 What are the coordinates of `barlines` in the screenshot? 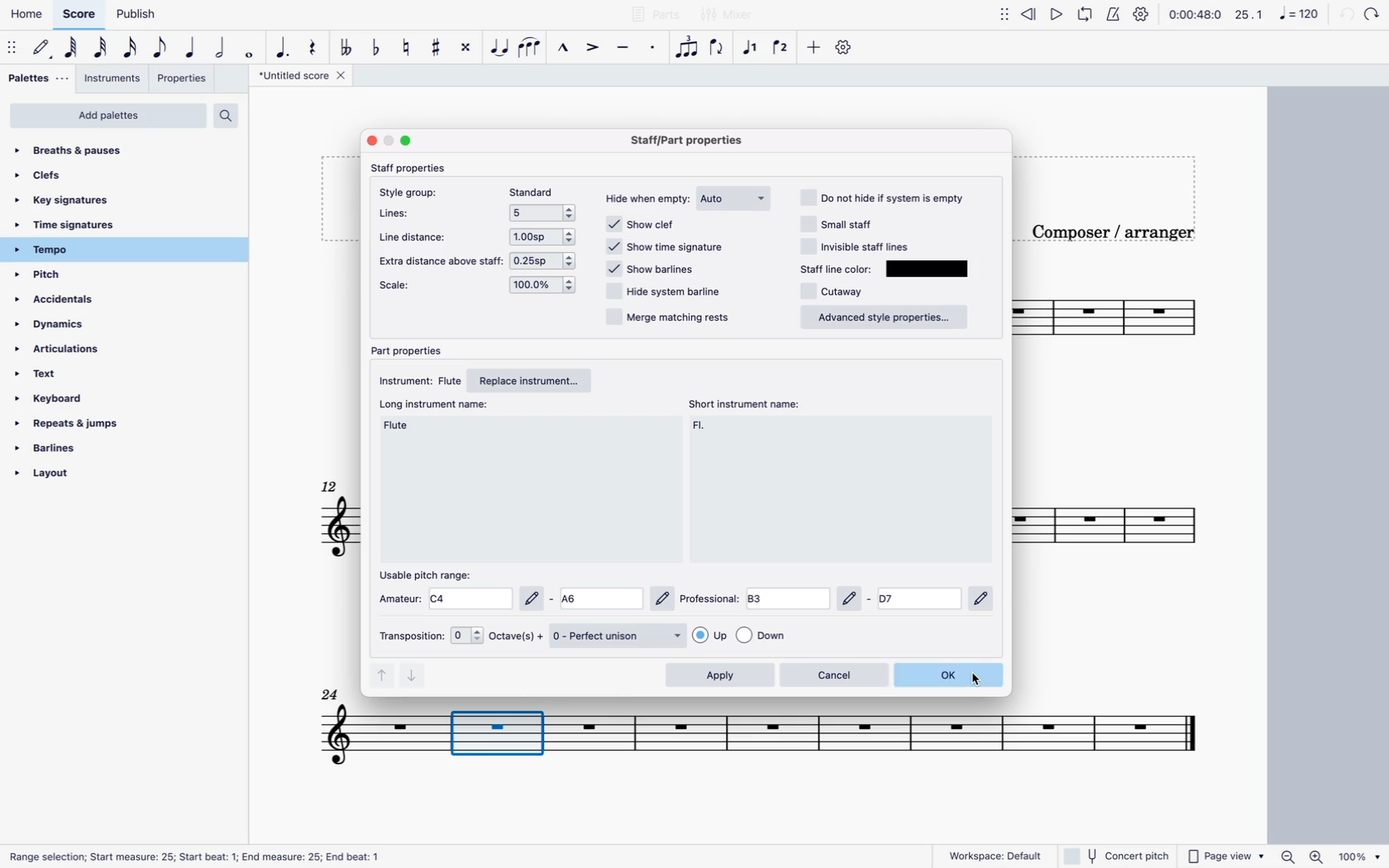 It's located at (76, 449).